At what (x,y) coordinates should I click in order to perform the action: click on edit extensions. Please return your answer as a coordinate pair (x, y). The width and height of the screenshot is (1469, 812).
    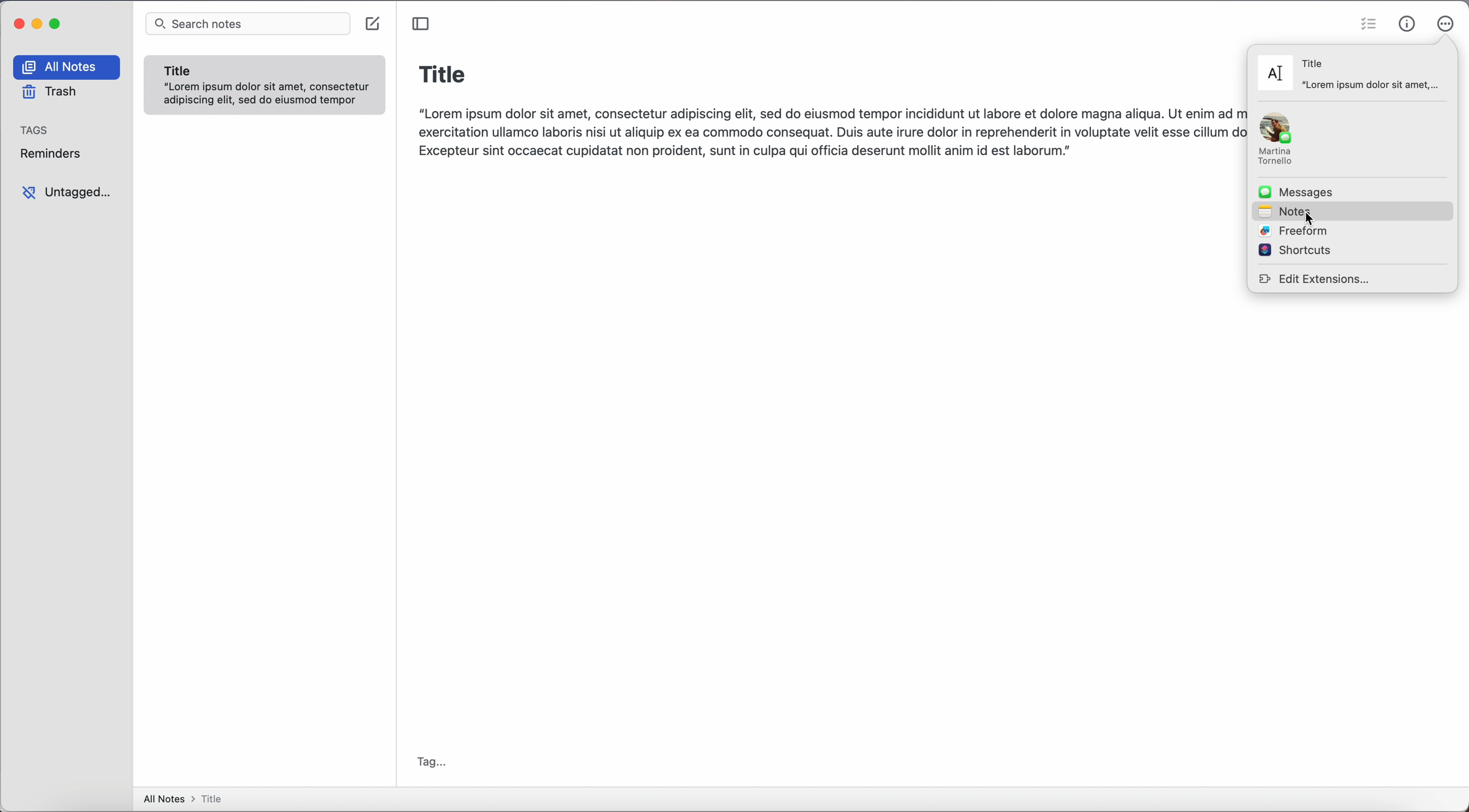
    Looking at the image, I should click on (1317, 278).